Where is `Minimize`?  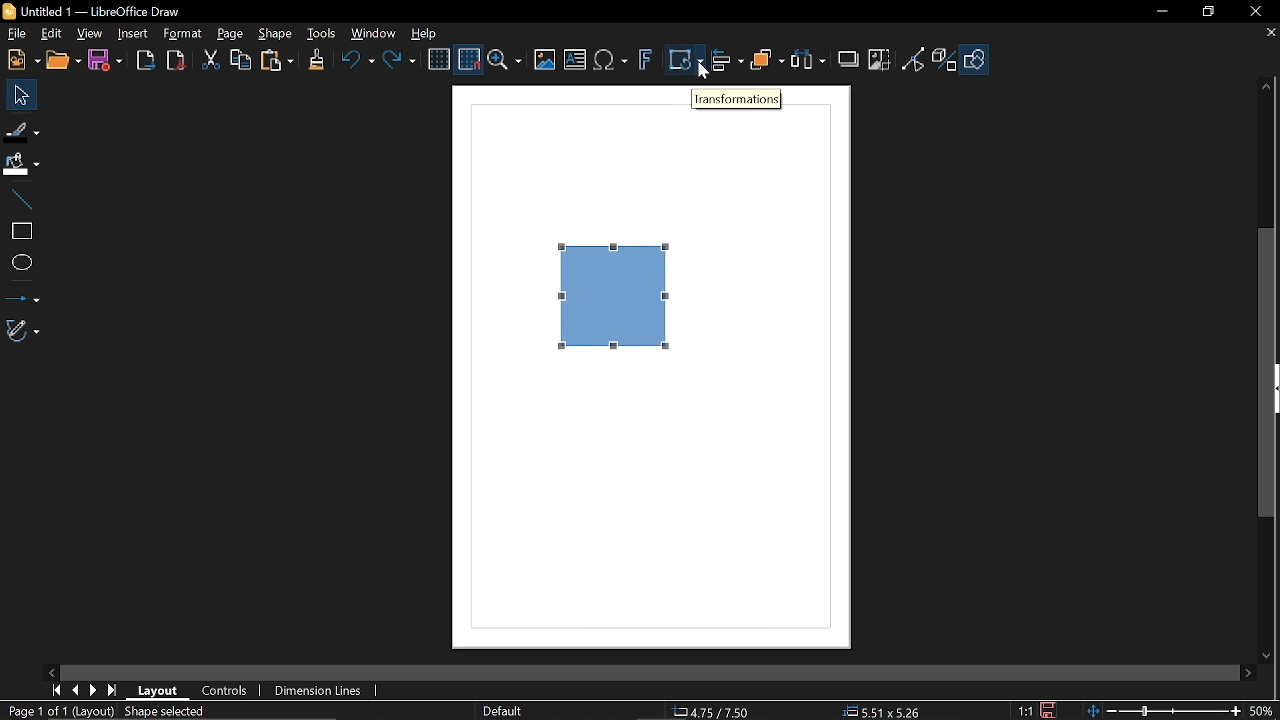
Minimize is located at coordinates (1160, 11).